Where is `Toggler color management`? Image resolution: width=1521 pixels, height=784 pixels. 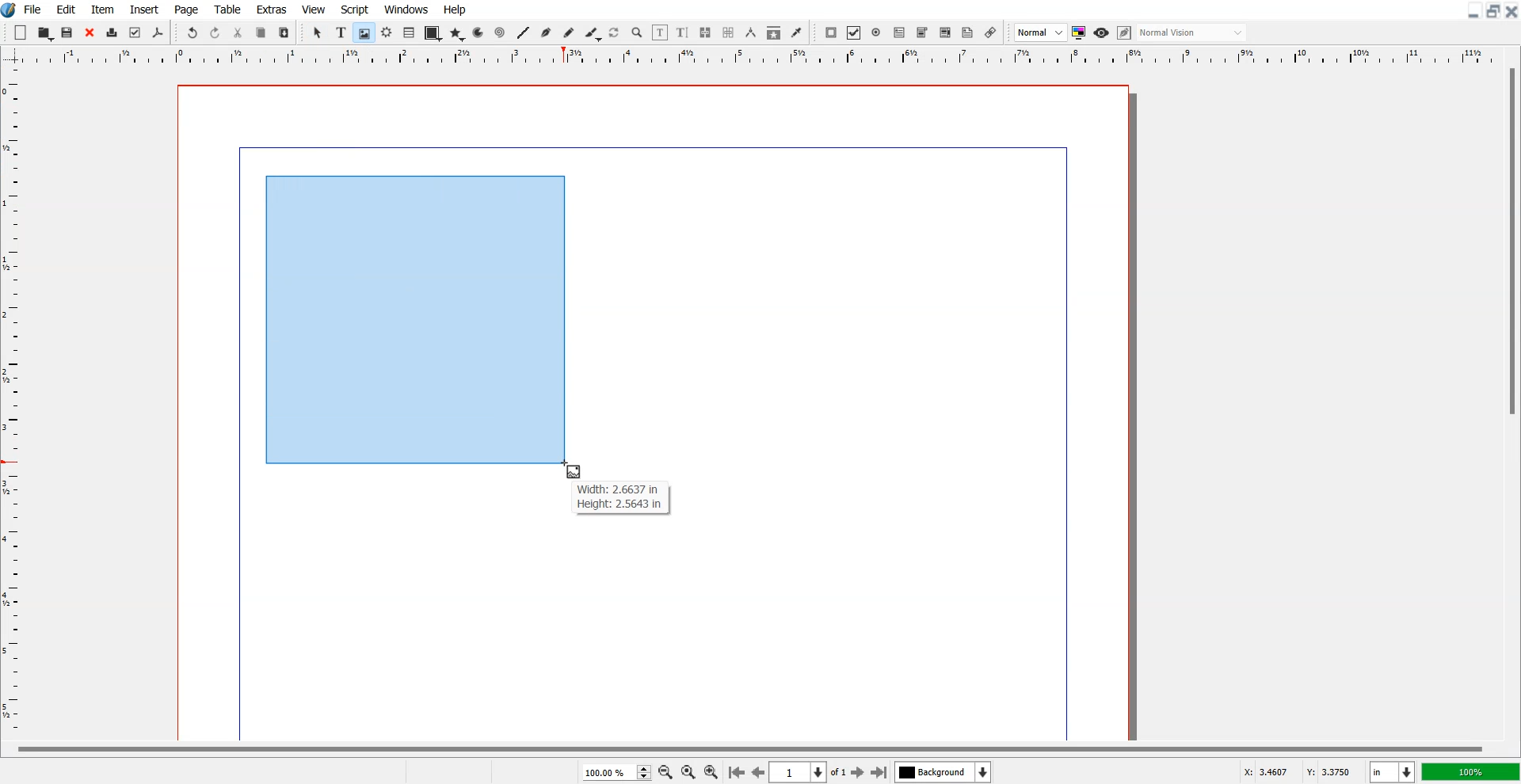
Toggler color management is located at coordinates (1079, 32).